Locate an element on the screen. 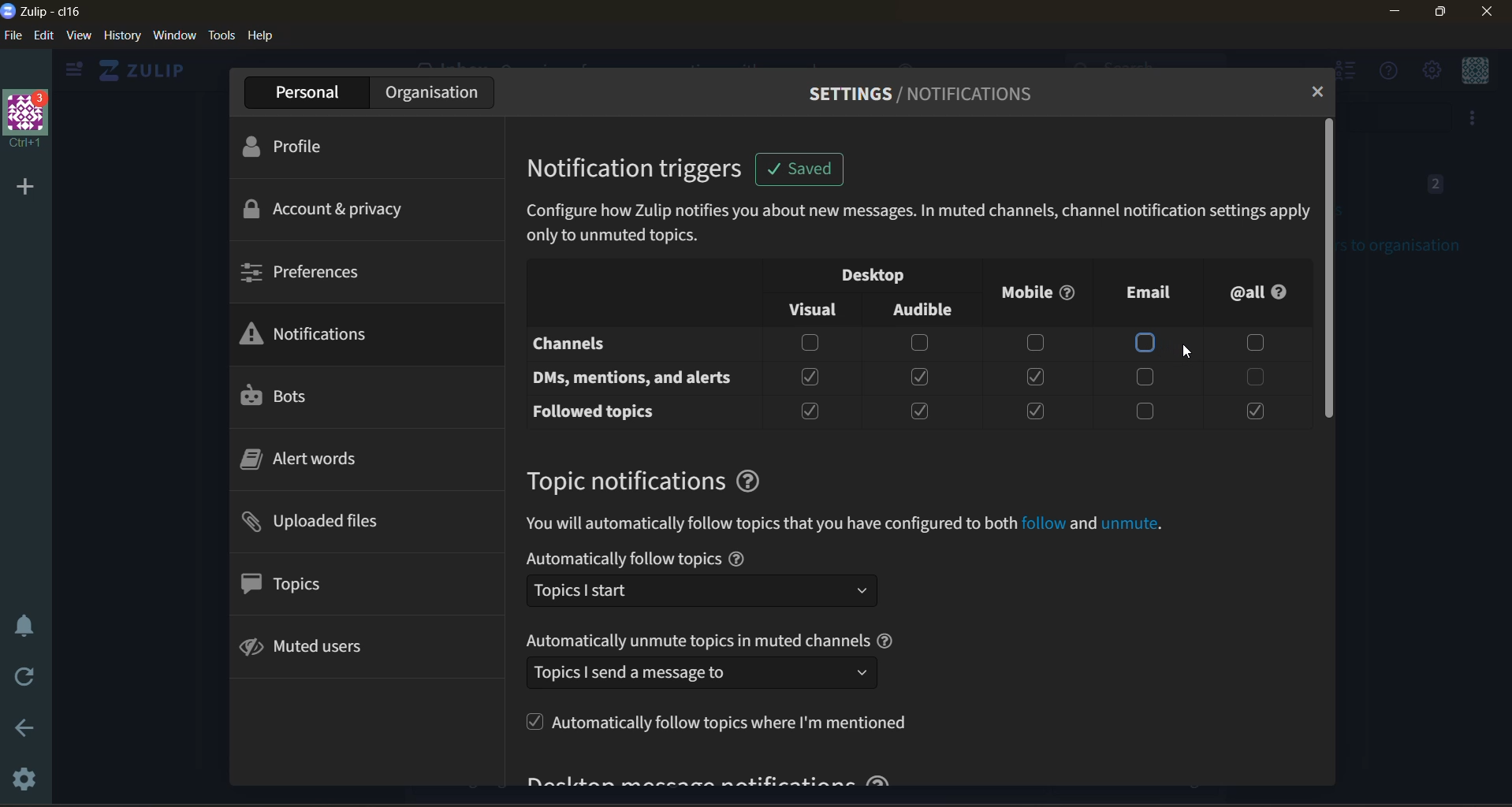 The image size is (1512, 807). tools is located at coordinates (222, 35).